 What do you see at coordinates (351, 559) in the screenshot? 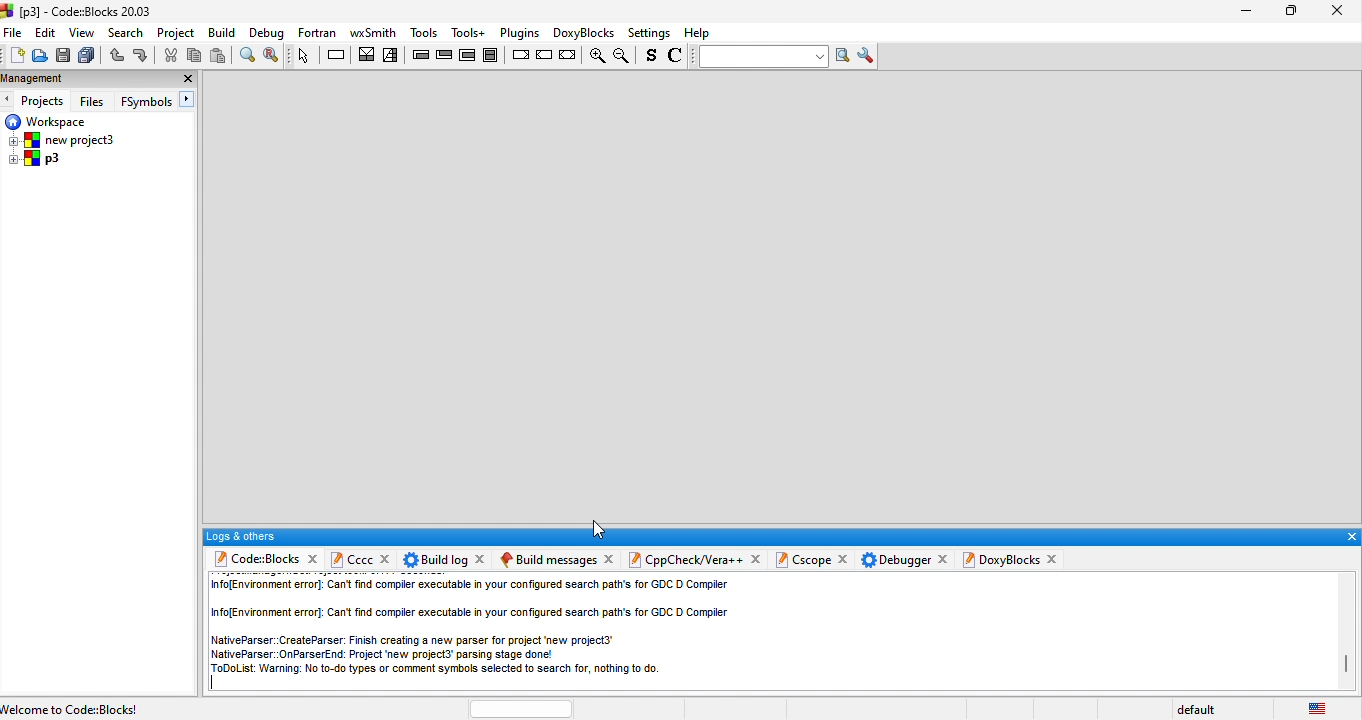
I see `Cccc` at bounding box center [351, 559].